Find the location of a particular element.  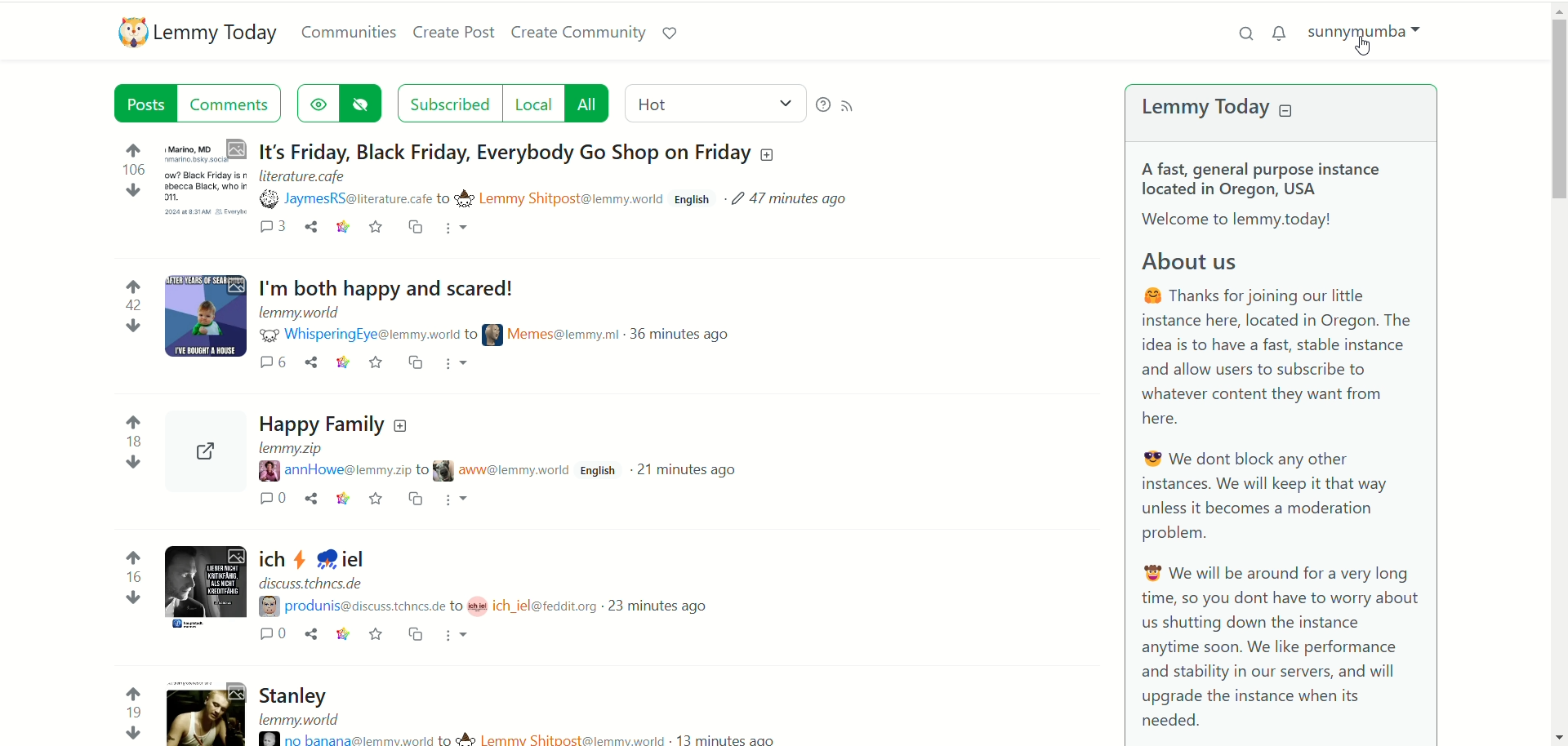

more is located at coordinates (459, 230).